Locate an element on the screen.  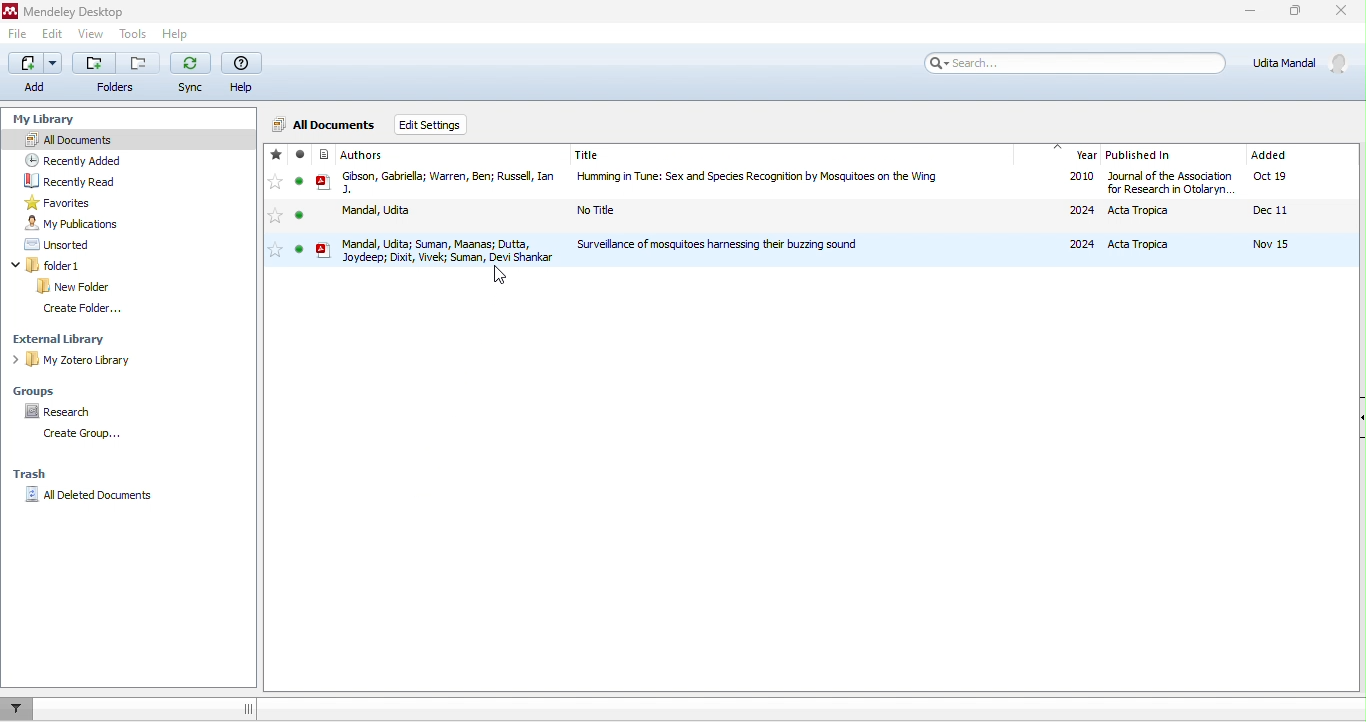
research is located at coordinates (60, 413).